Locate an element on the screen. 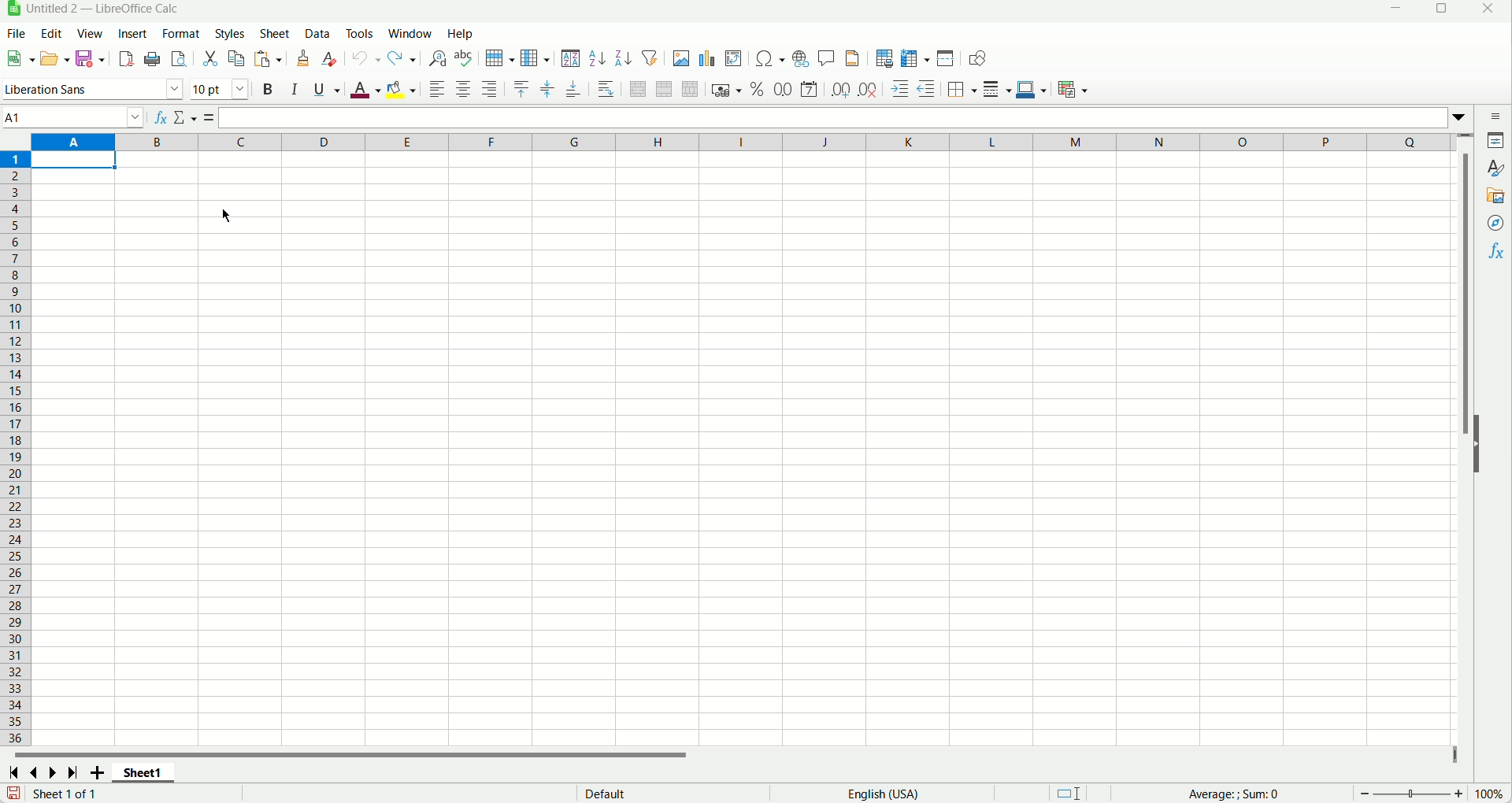  Italic is located at coordinates (295, 90).